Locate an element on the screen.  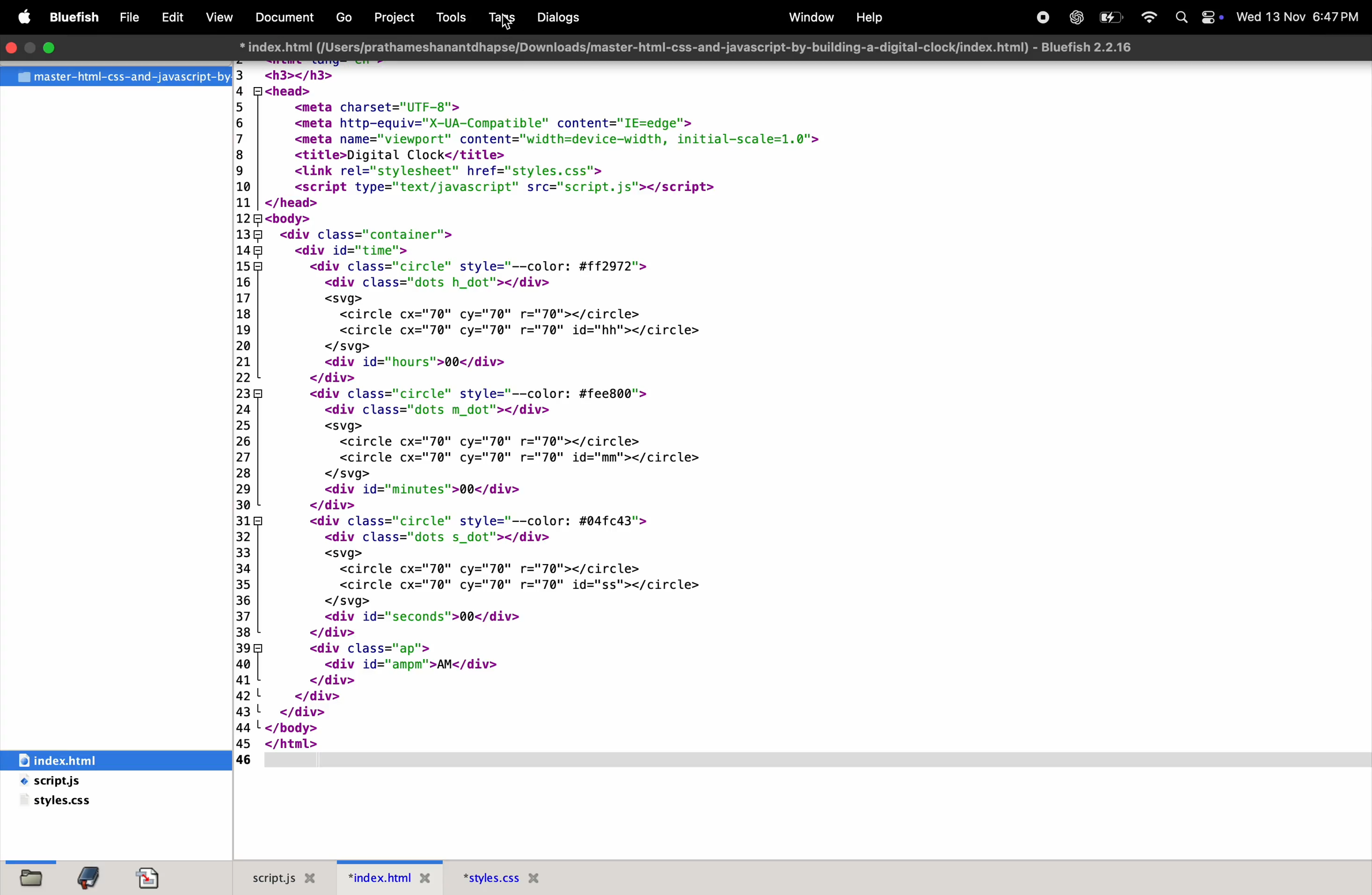
* index.html (/Users/prathameshanantdhapse/Downloads/master-html-css-and-javascript-by-building-a-digital-clock/index.html) - Bluefish 2.2.16 is located at coordinates (691, 47).